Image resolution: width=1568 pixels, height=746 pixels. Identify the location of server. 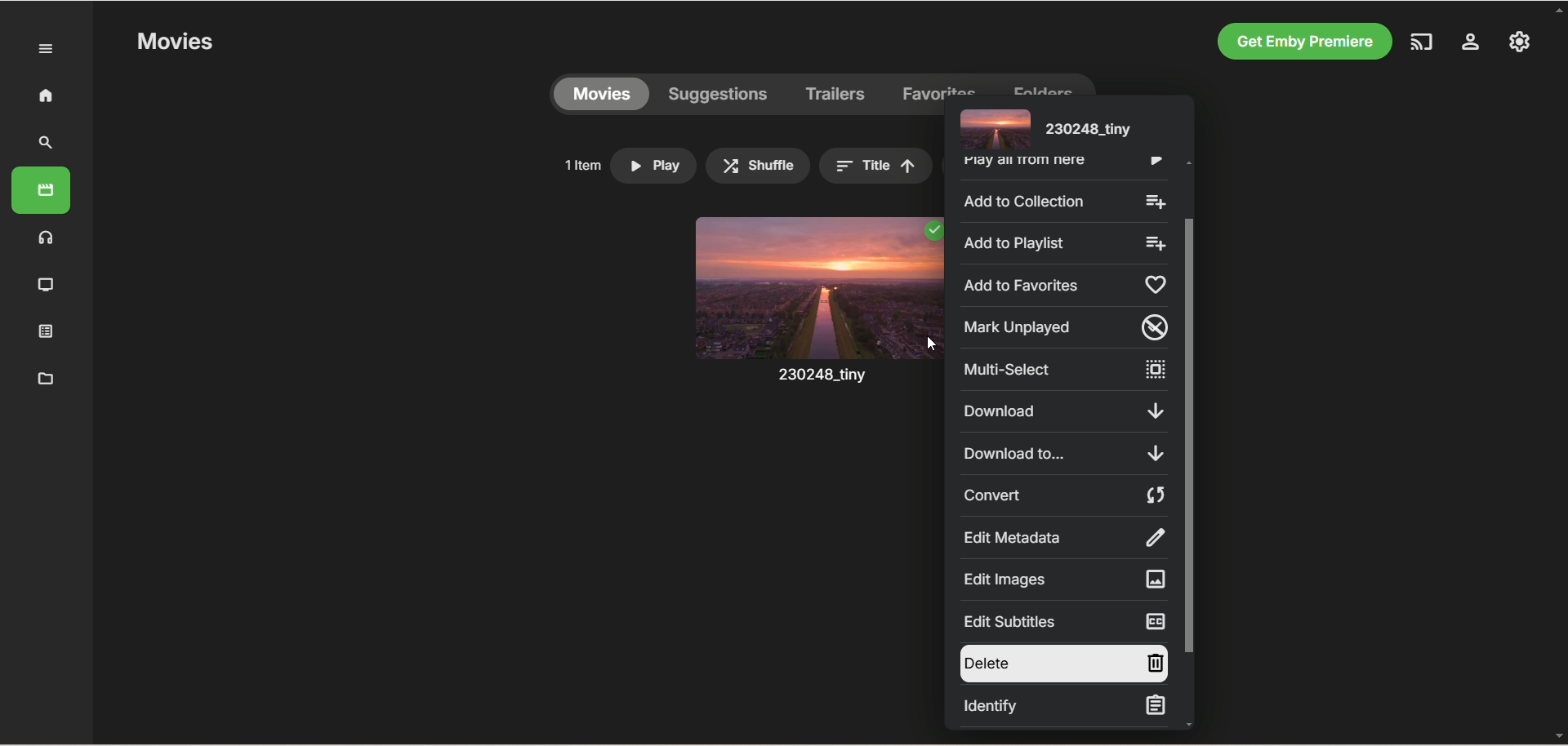
(1471, 44).